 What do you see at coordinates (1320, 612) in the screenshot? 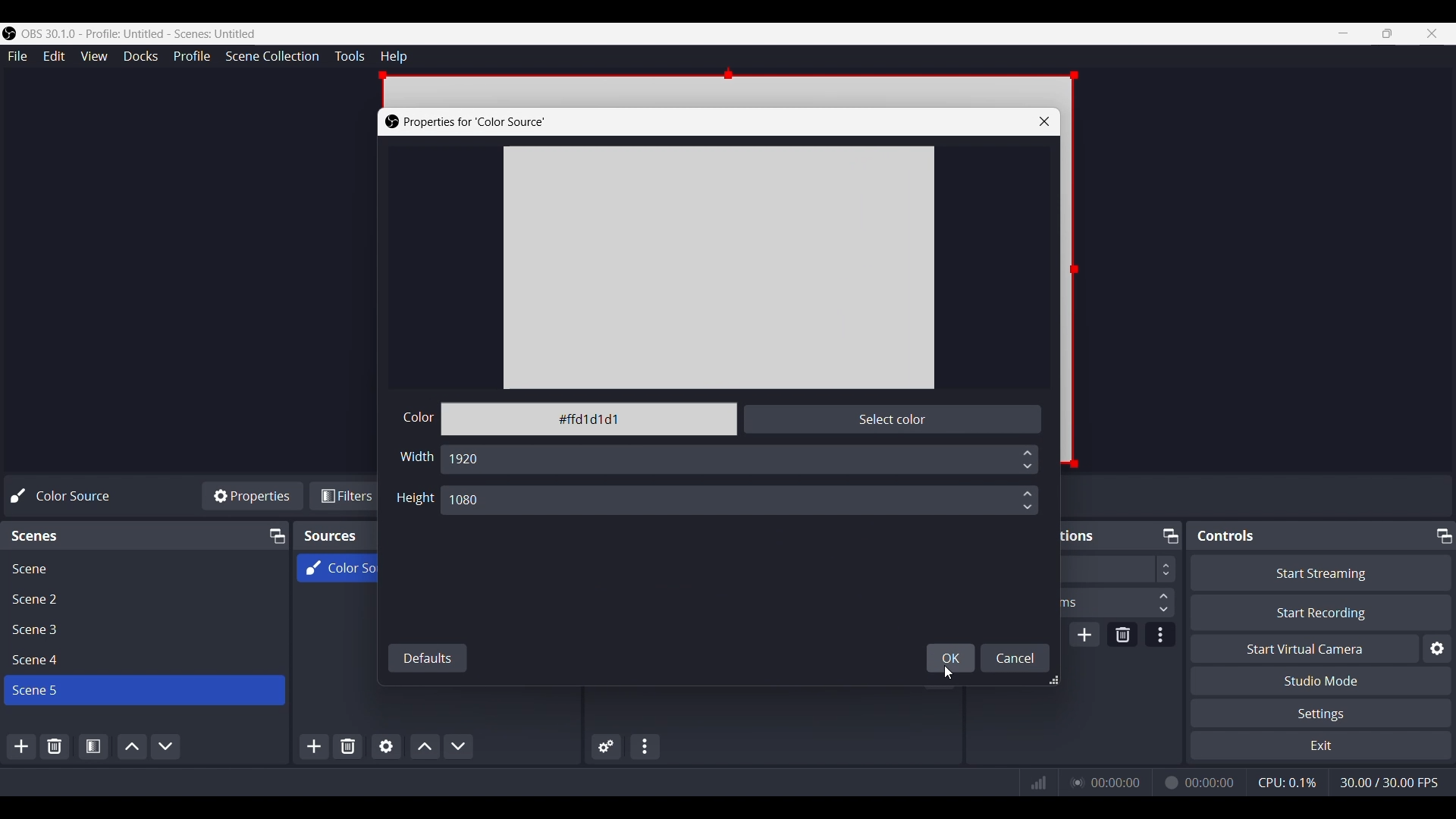
I see `Start Recording` at bounding box center [1320, 612].